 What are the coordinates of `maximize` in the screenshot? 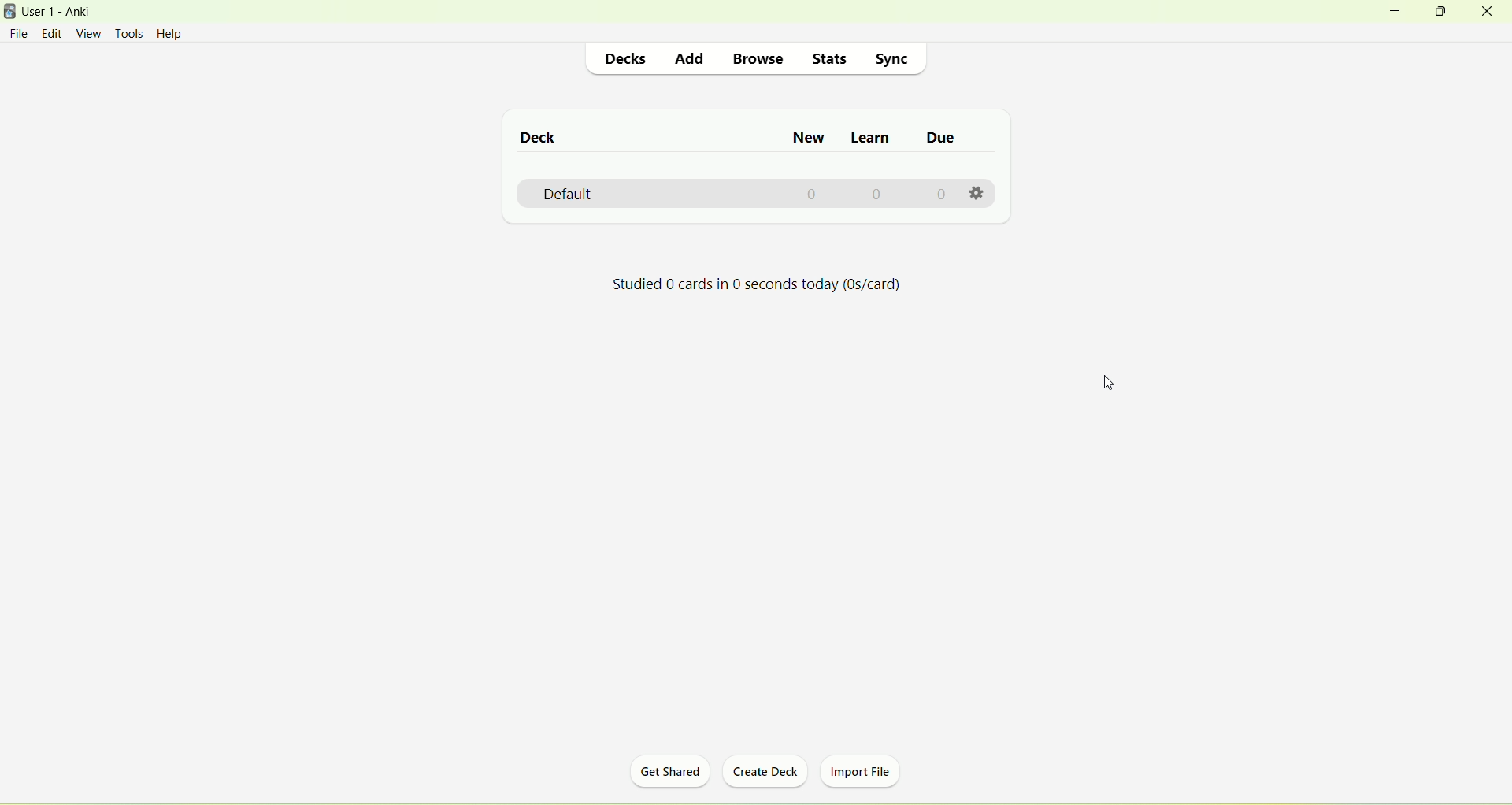 It's located at (1444, 12).